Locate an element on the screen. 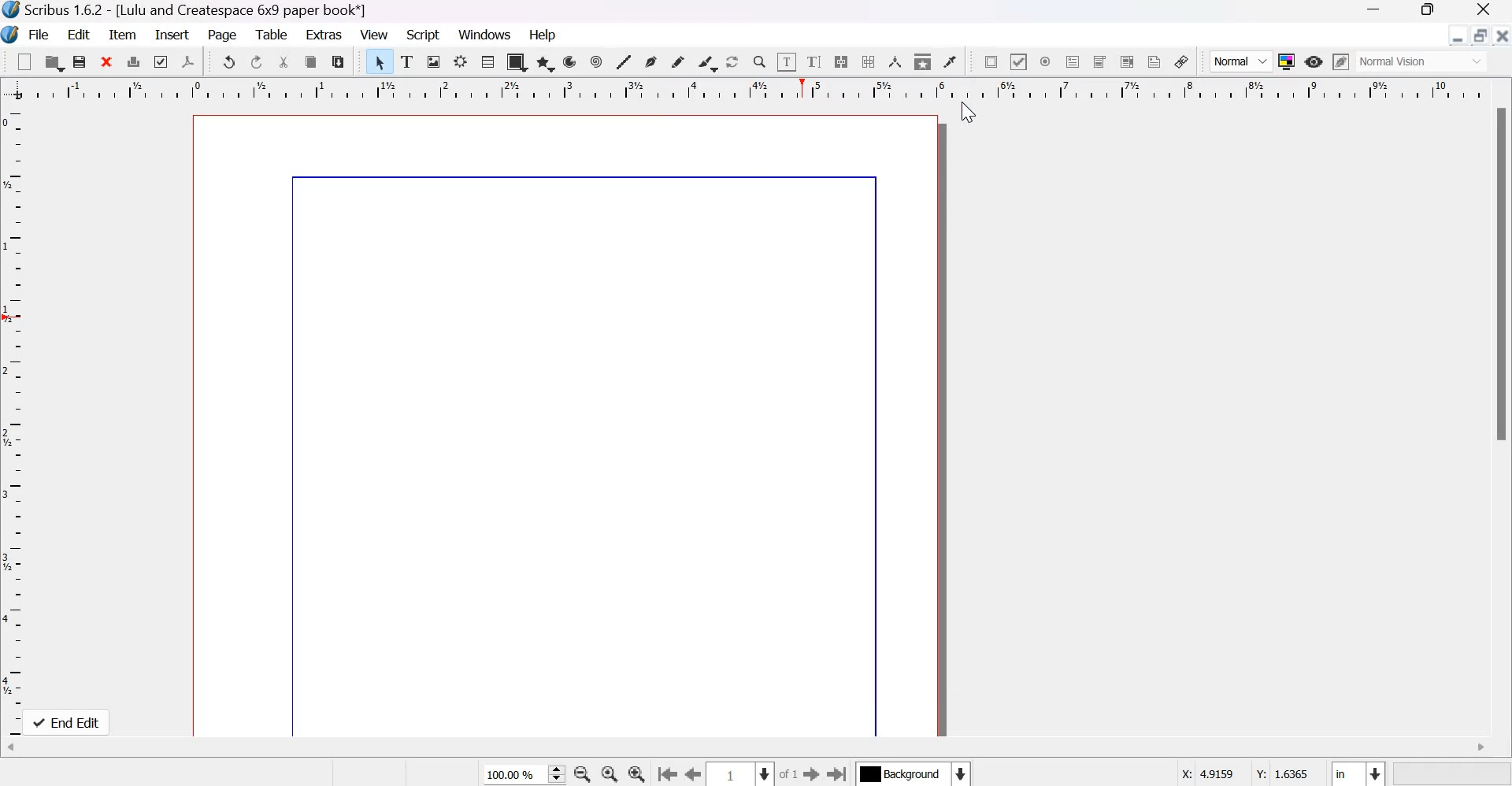  preflight verifier is located at coordinates (162, 61).